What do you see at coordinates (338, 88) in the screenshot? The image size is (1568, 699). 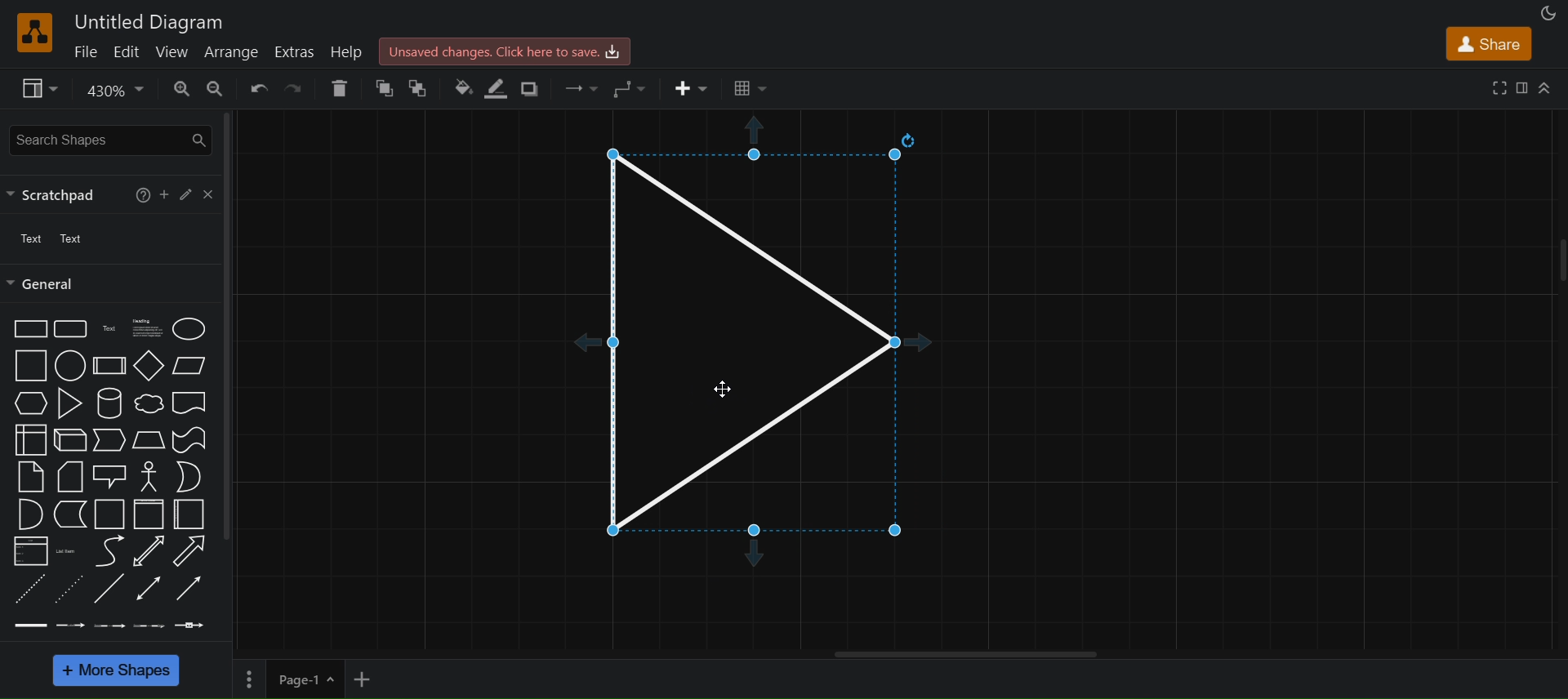 I see `delete` at bounding box center [338, 88].